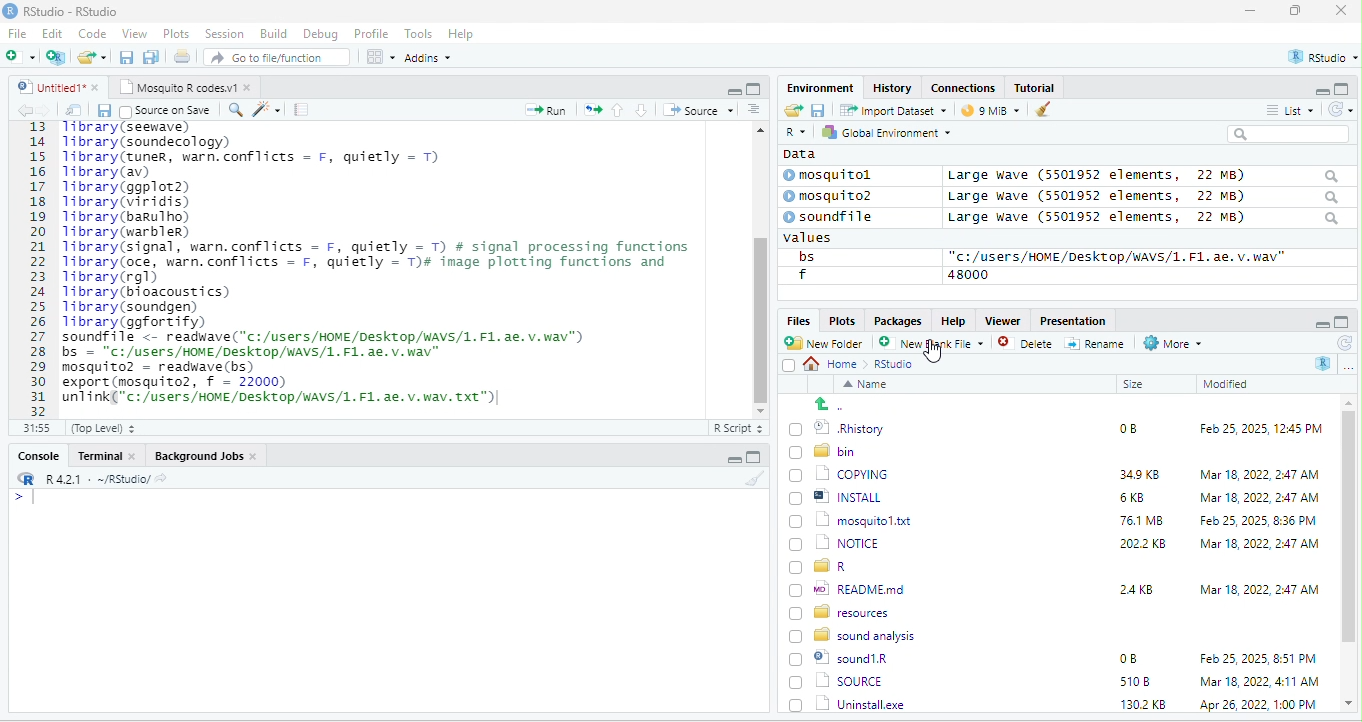 The height and width of the screenshot is (722, 1362). Describe the element at coordinates (849, 703) in the screenshot. I see `Uninstall.exe` at that location.